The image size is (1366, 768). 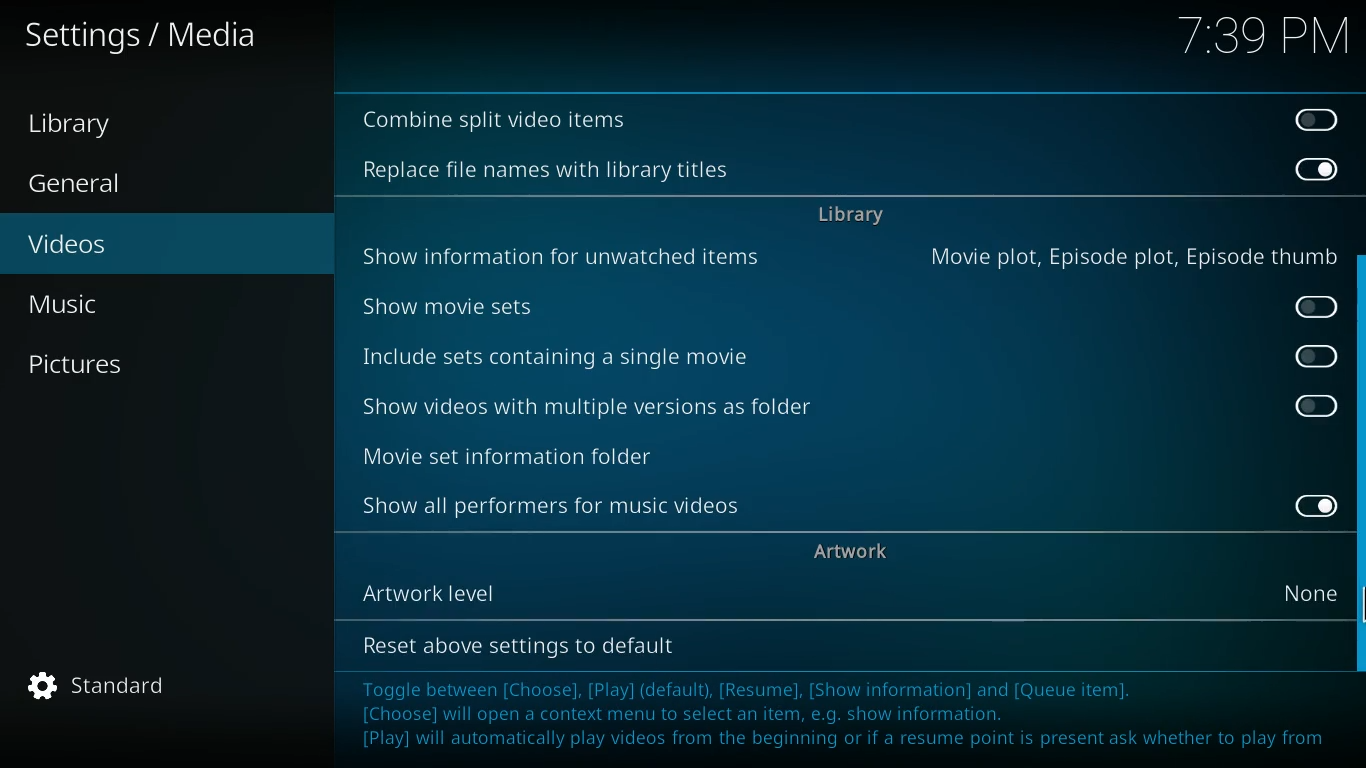 What do you see at coordinates (150, 246) in the screenshot?
I see `videos` at bounding box center [150, 246].